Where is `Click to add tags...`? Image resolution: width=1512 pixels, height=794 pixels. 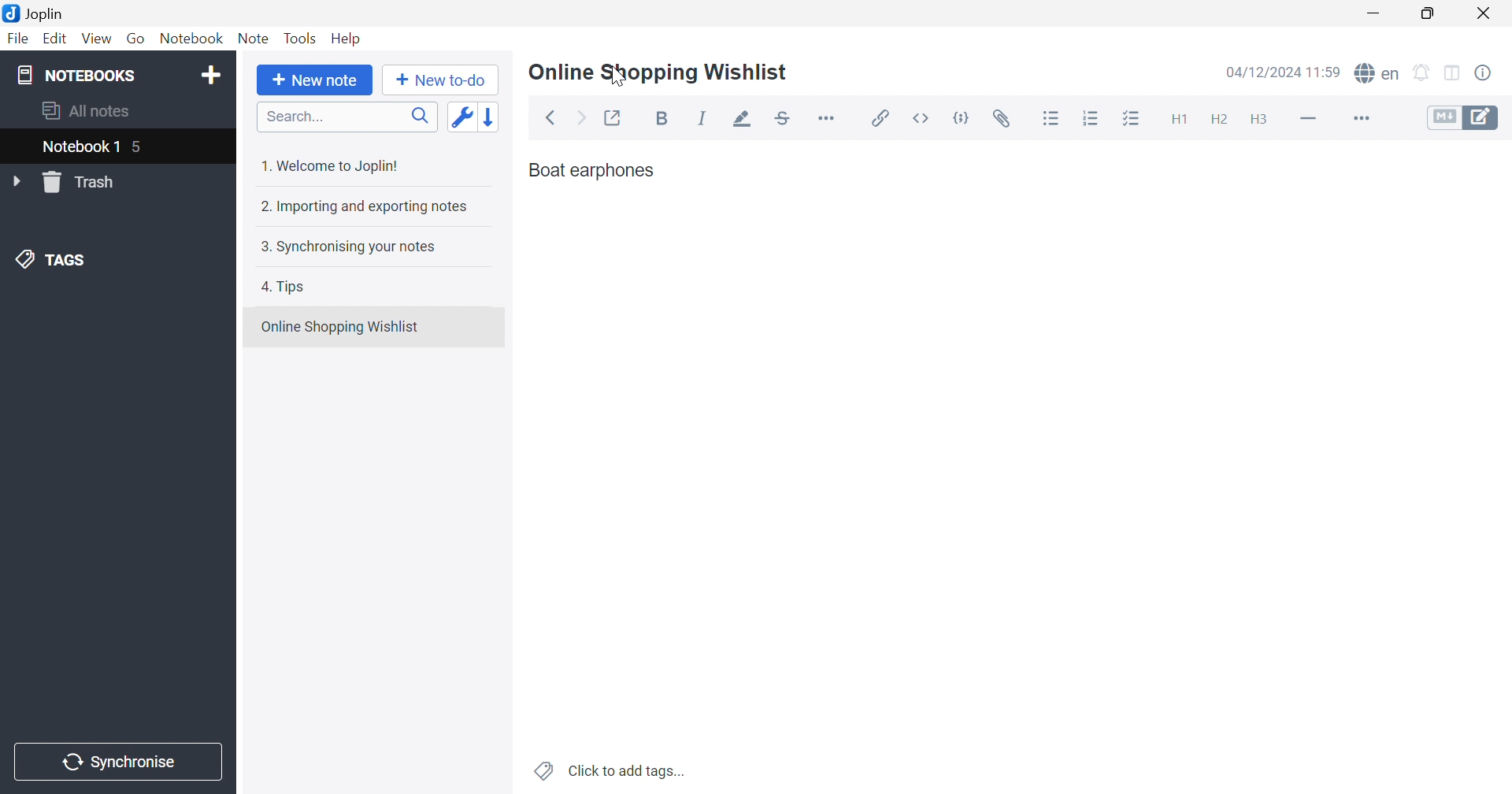 Click to add tags... is located at coordinates (609, 770).